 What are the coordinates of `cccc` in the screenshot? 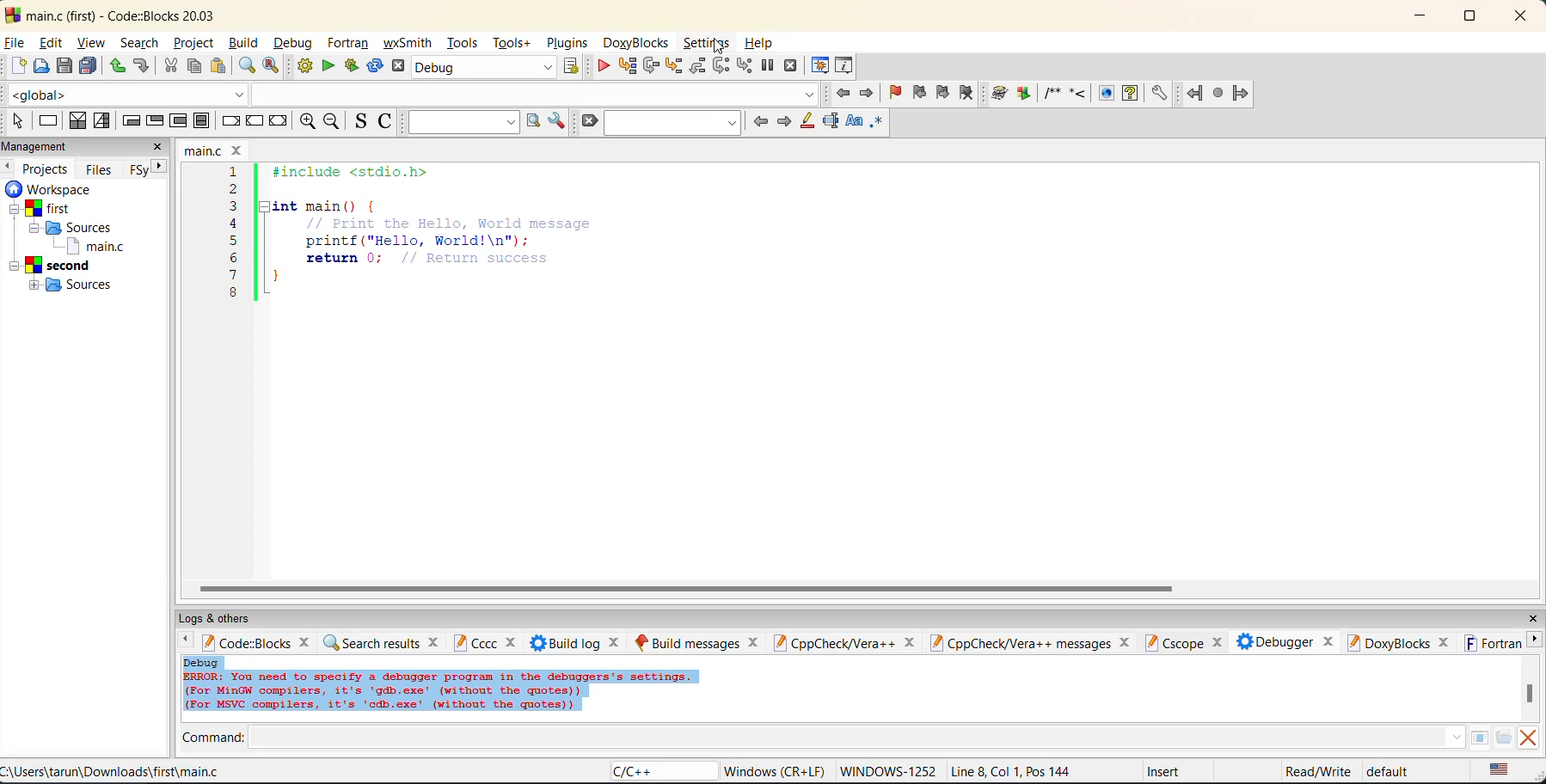 It's located at (485, 642).